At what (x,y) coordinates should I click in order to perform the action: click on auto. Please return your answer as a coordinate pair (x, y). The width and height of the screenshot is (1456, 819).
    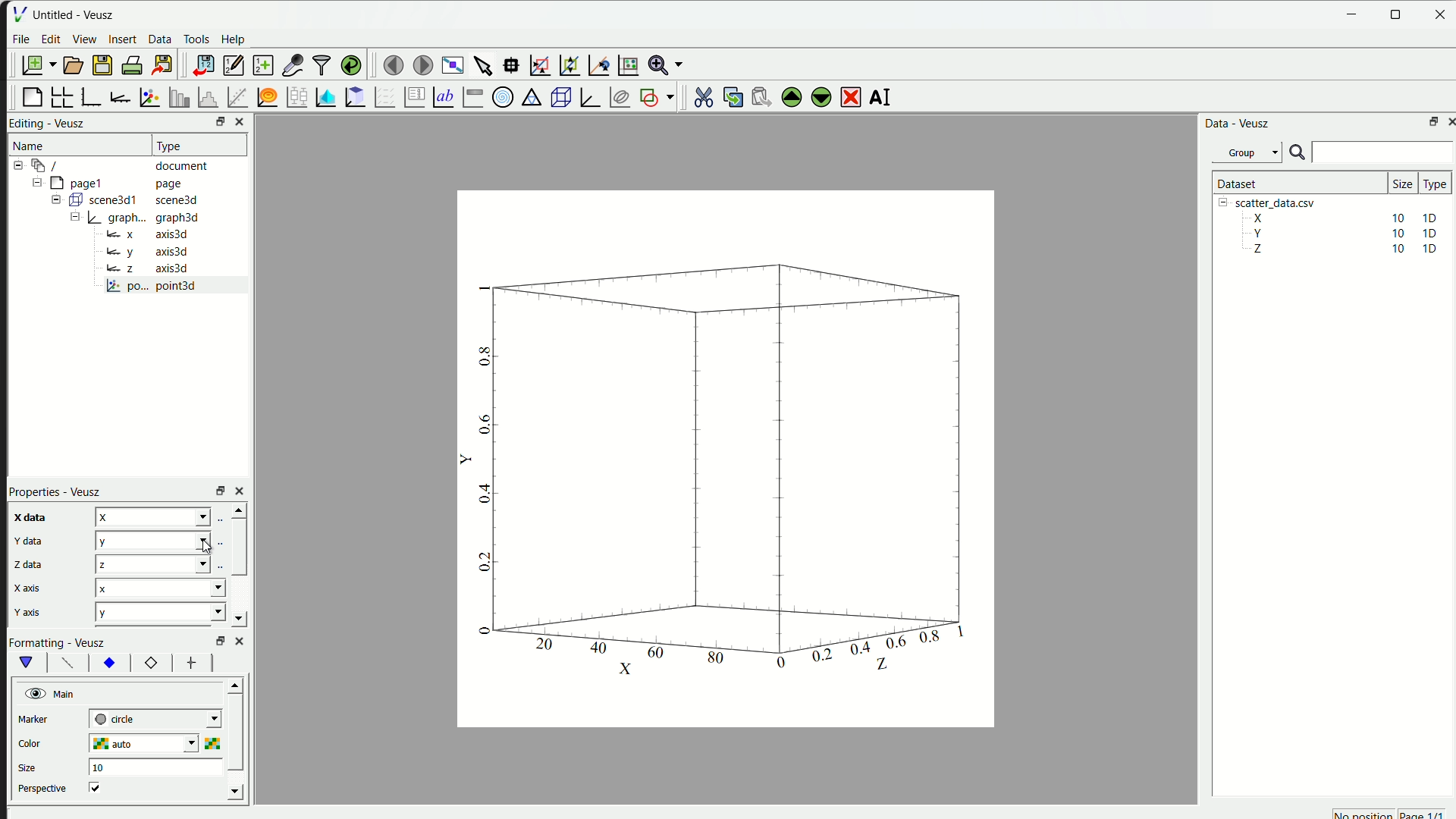
    Looking at the image, I should click on (153, 745).